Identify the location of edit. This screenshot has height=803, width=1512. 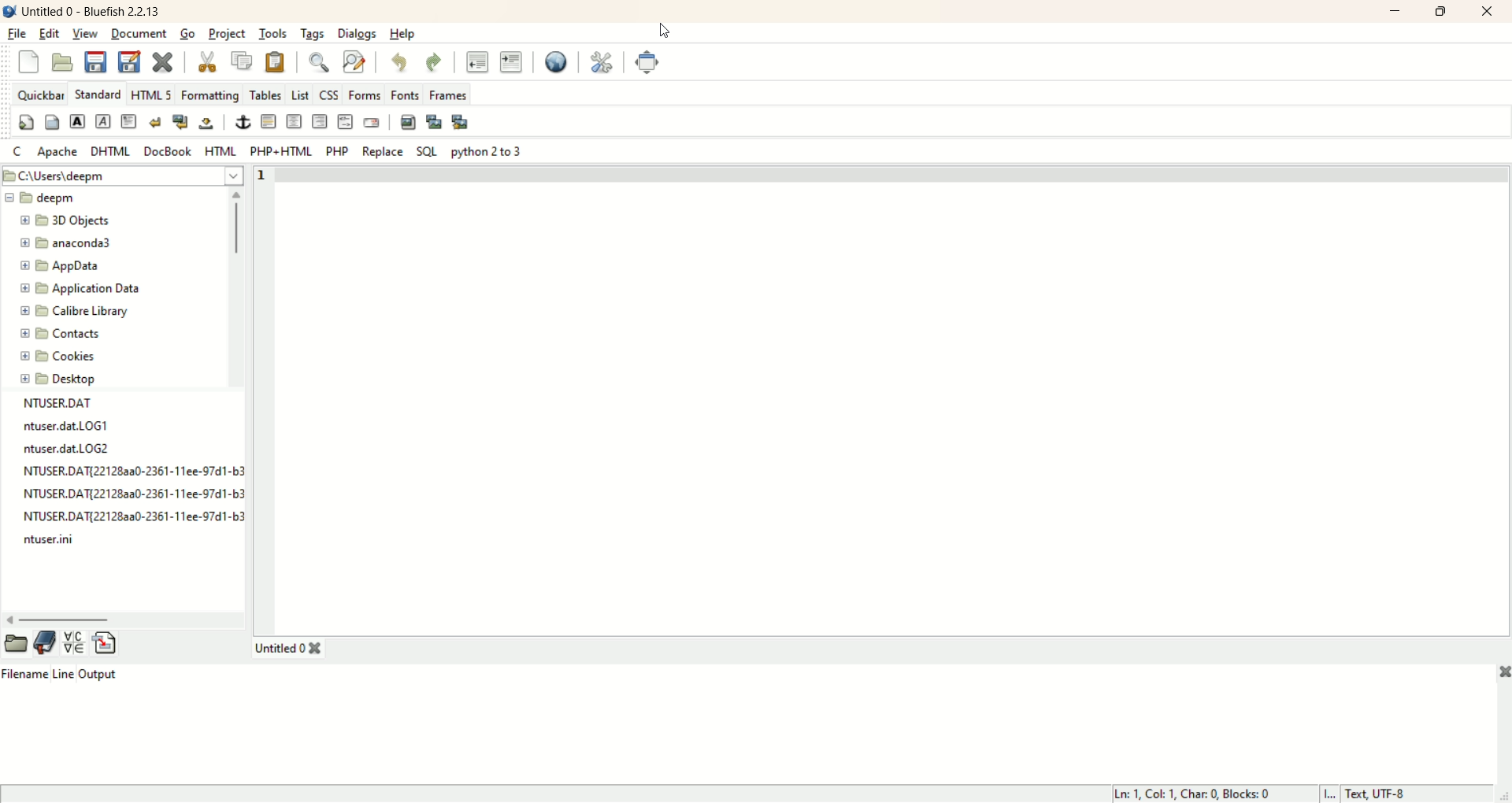
(50, 35).